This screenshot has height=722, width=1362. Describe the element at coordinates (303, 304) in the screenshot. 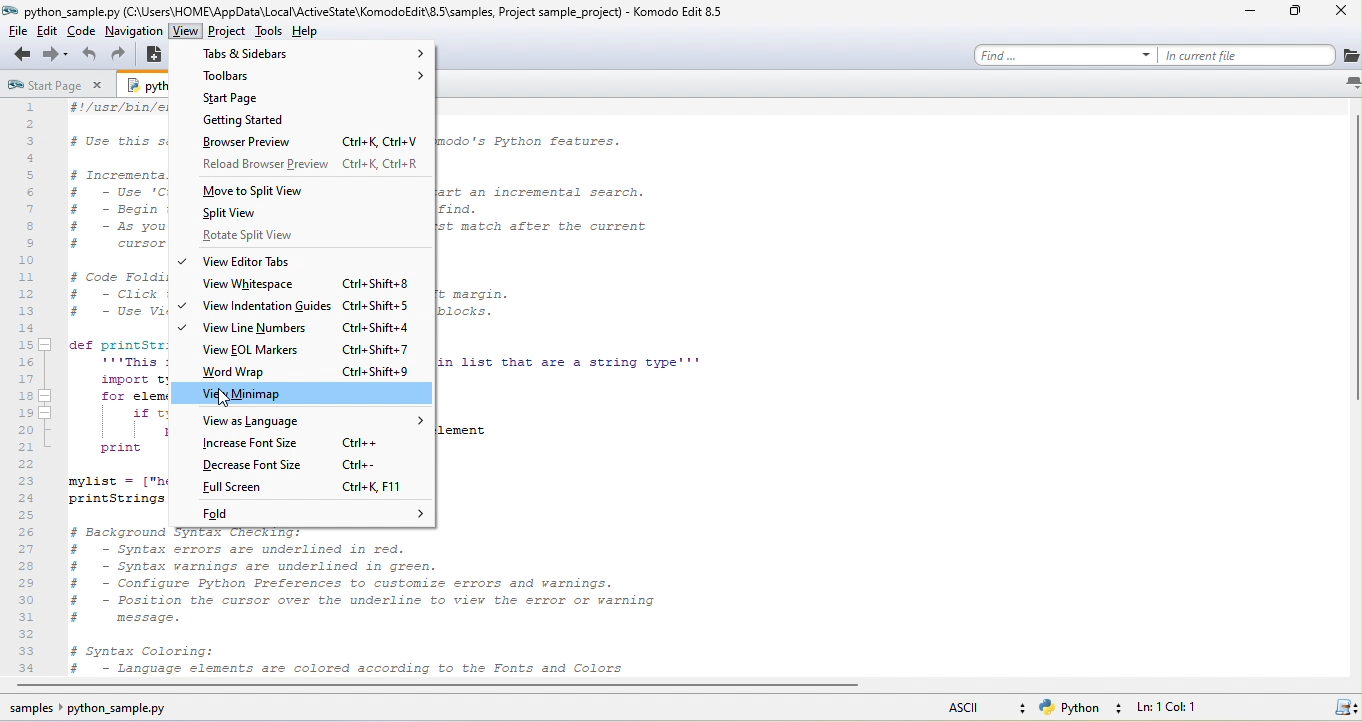

I see `view indentation guides` at that location.